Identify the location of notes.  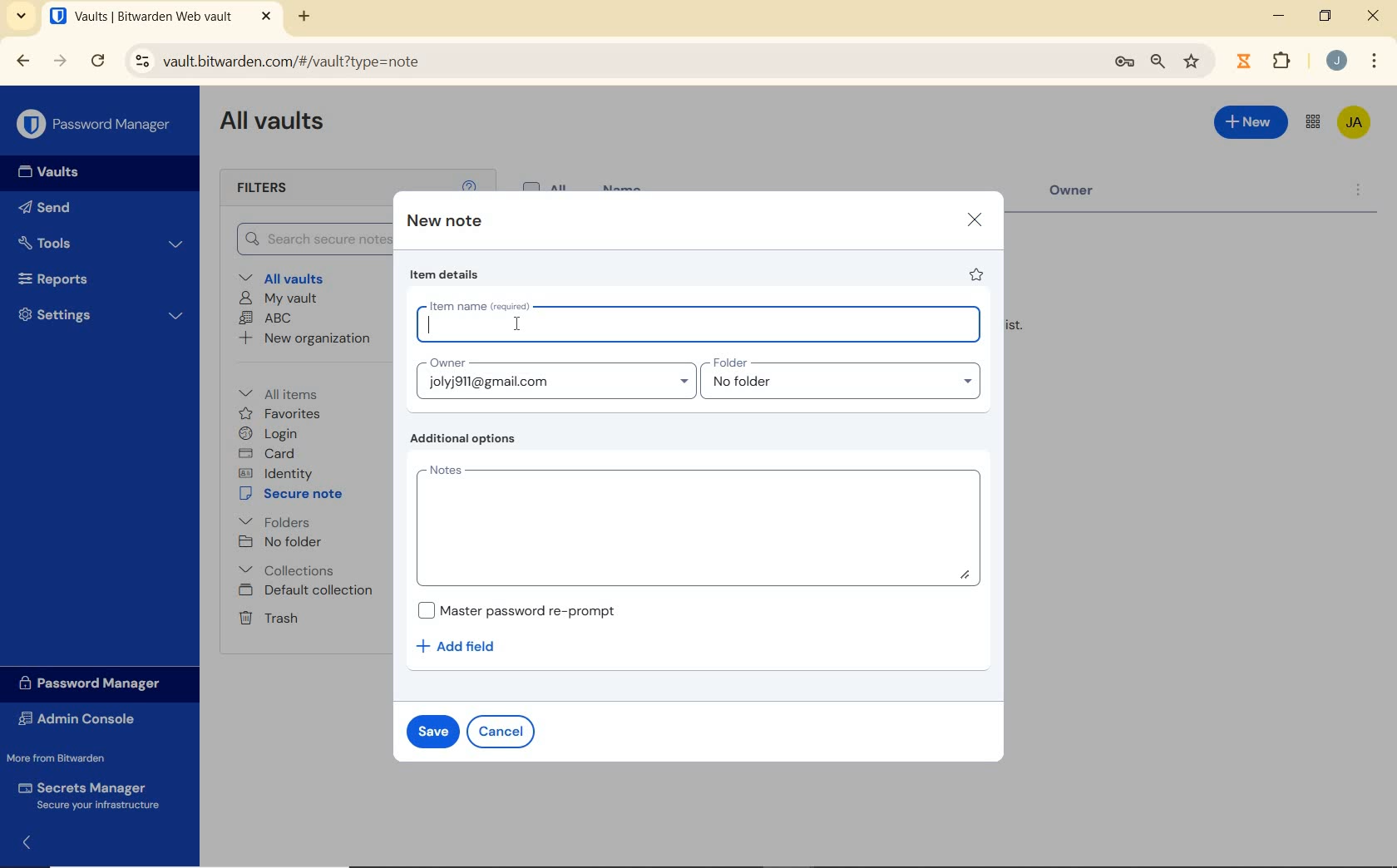
(697, 523).